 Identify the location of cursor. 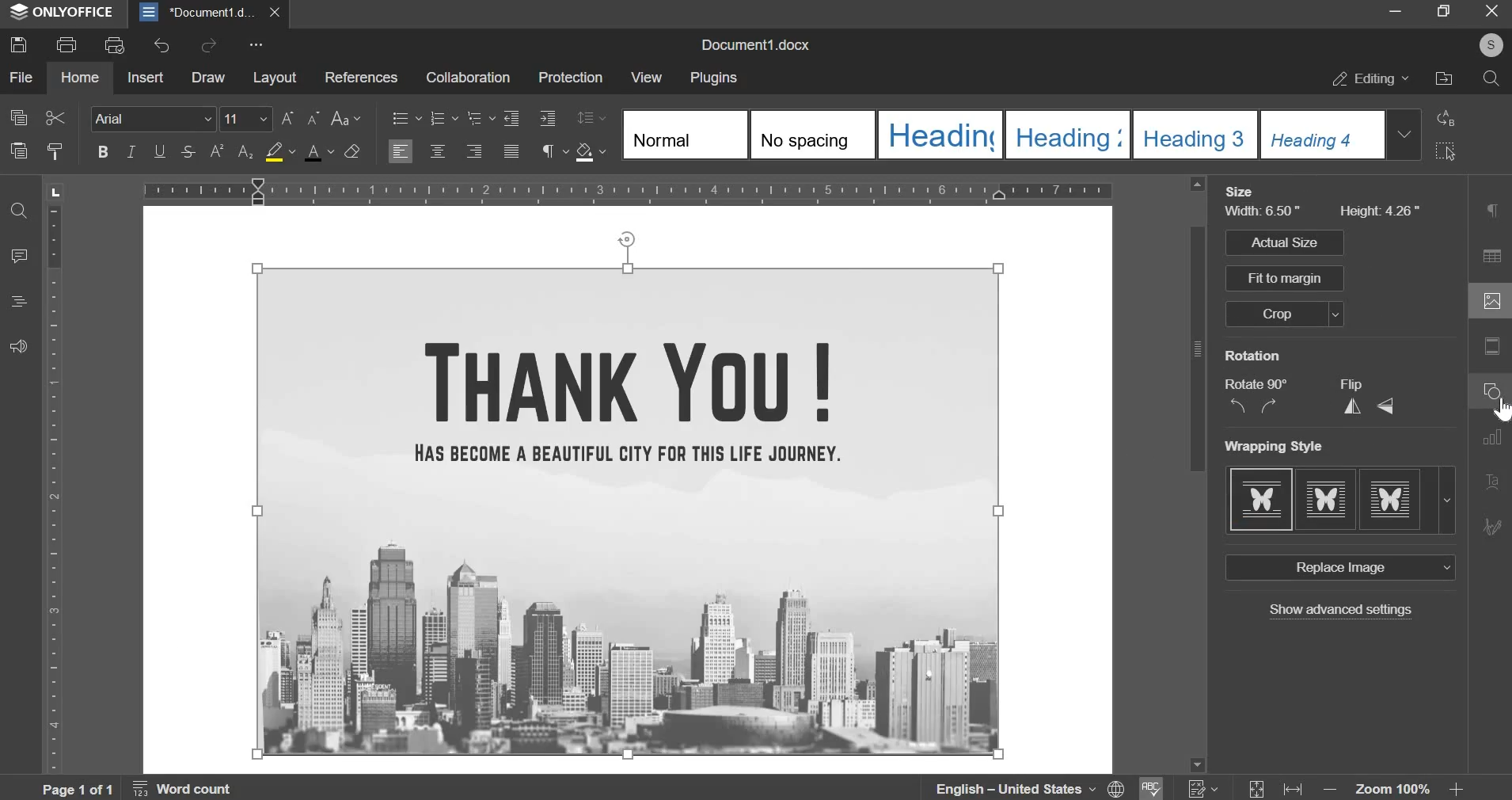
(1499, 411).